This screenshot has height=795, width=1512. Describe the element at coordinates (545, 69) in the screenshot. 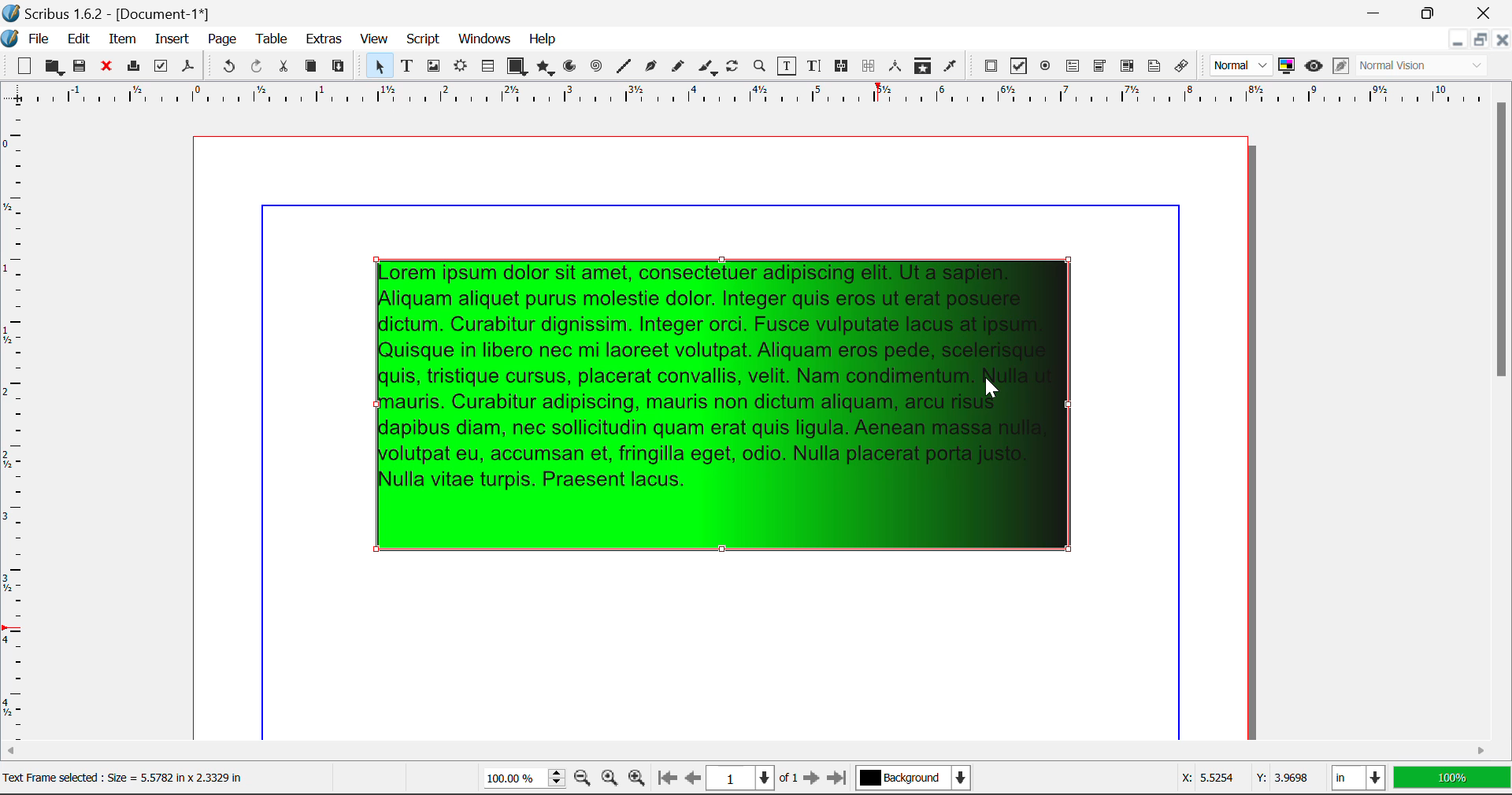

I see `Polygons` at that location.